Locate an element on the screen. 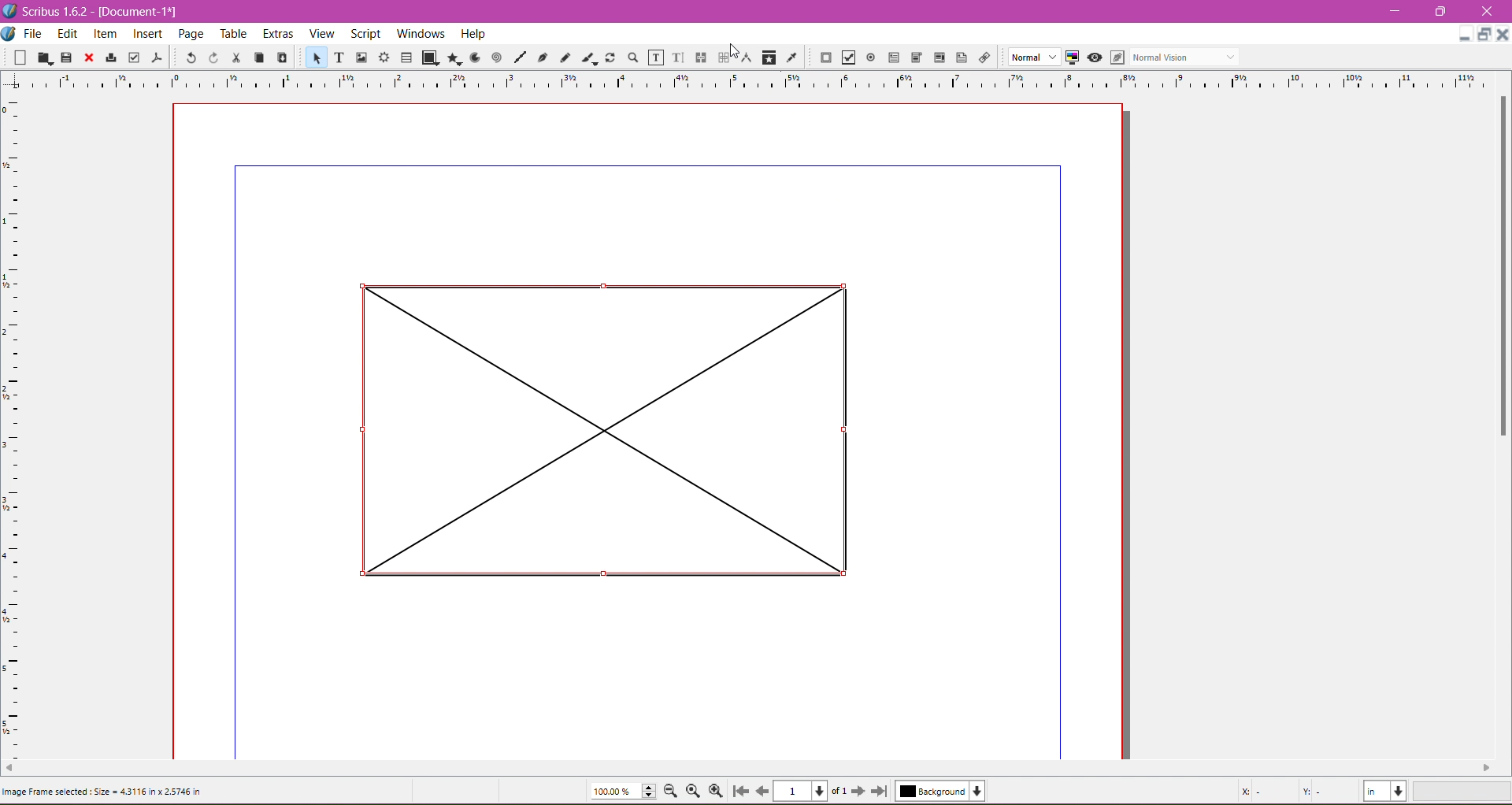  C is located at coordinates (1486, 12).